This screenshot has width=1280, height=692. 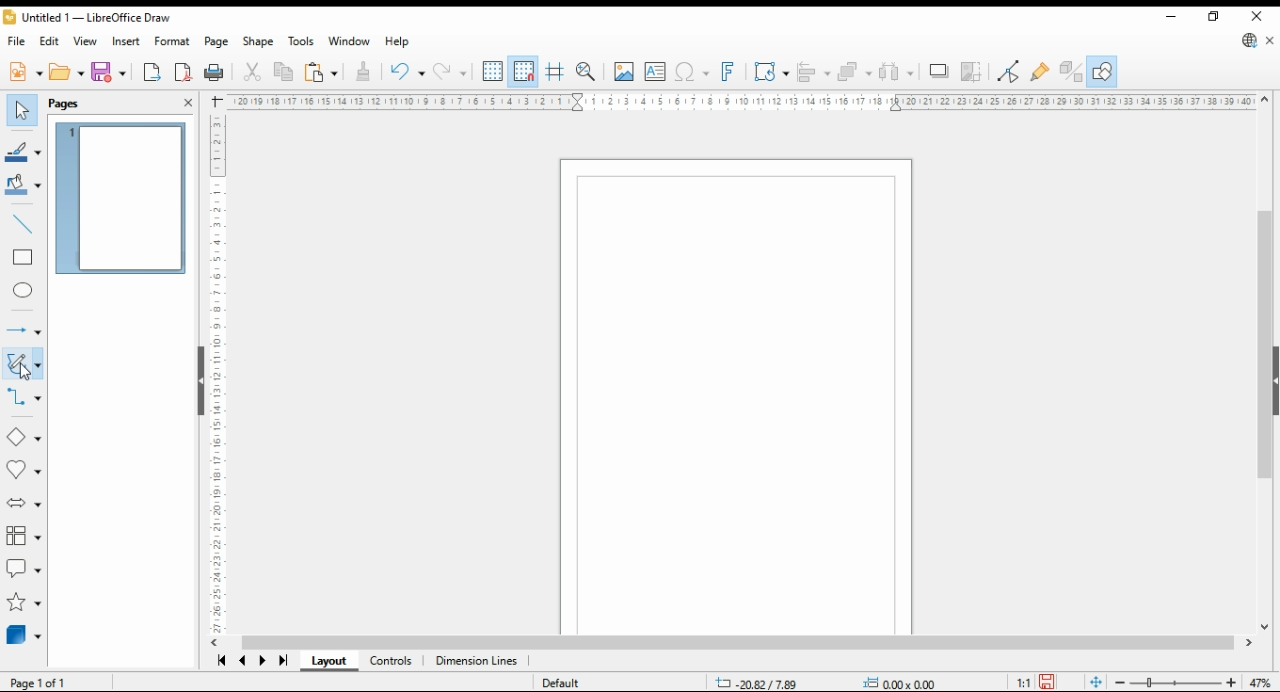 What do you see at coordinates (22, 363) in the screenshot?
I see `curves and polygons` at bounding box center [22, 363].